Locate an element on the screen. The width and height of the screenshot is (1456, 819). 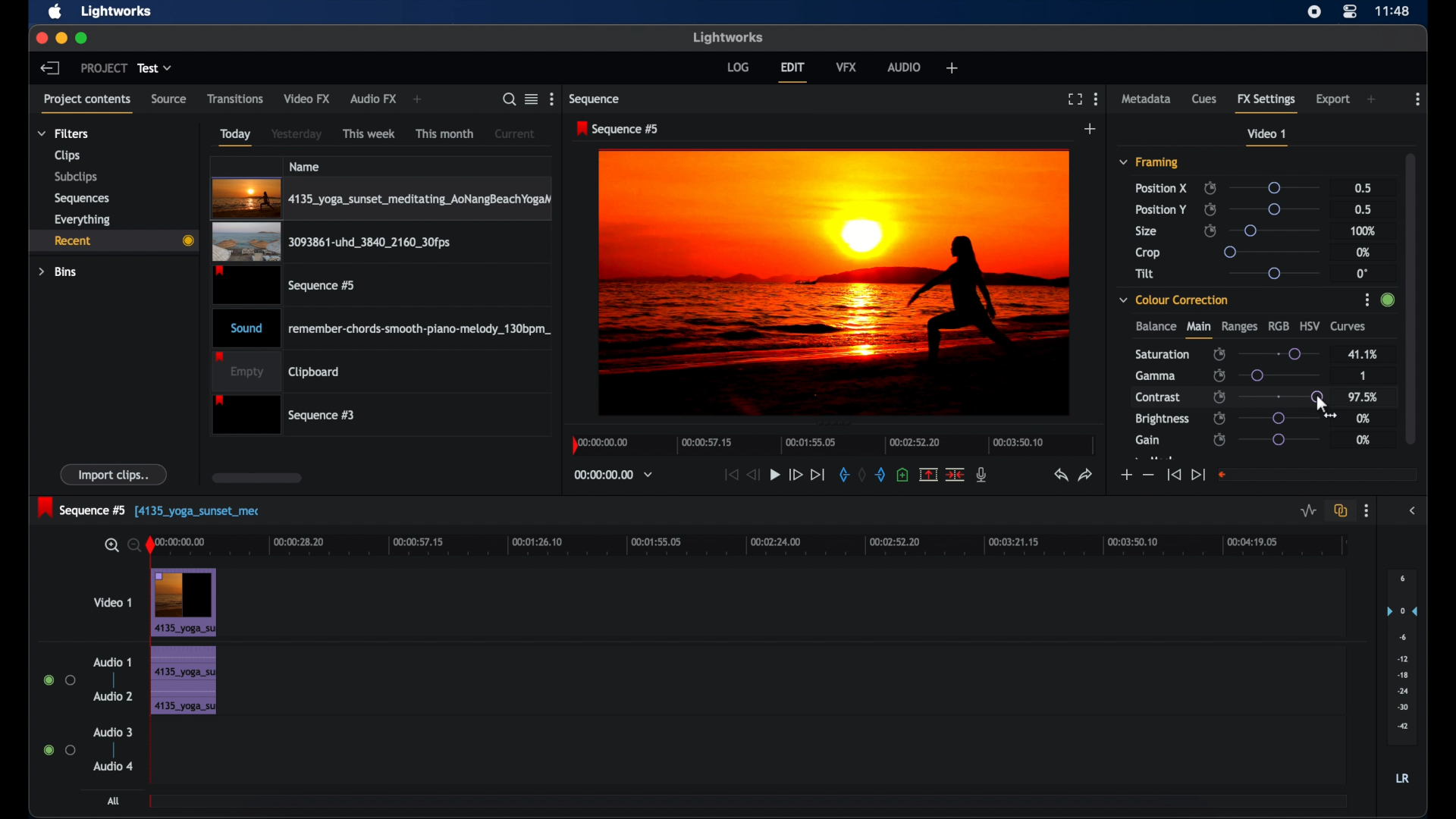
video clip is located at coordinates (331, 243).